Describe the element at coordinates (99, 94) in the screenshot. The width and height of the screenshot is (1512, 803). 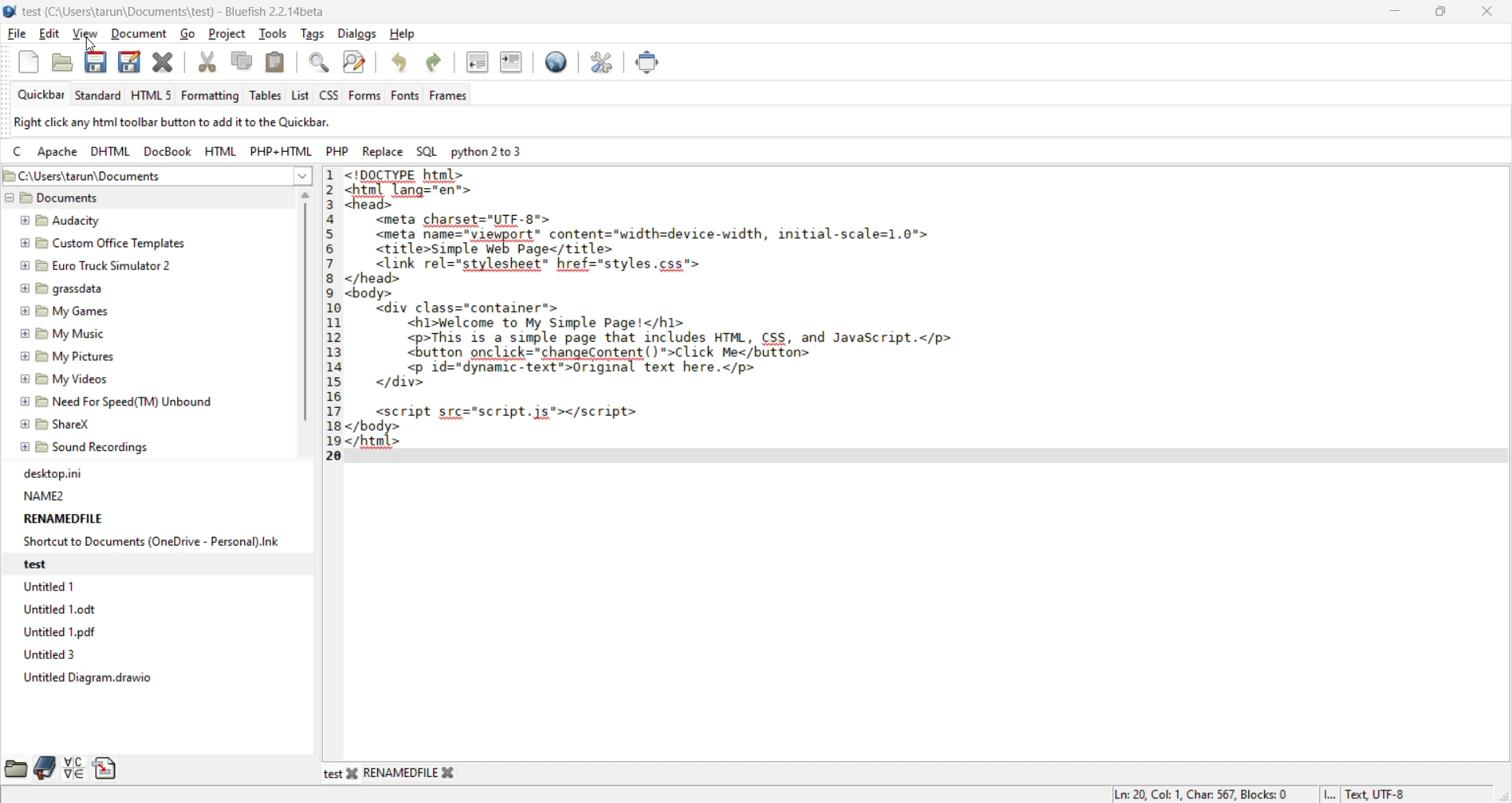
I see `standard` at that location.